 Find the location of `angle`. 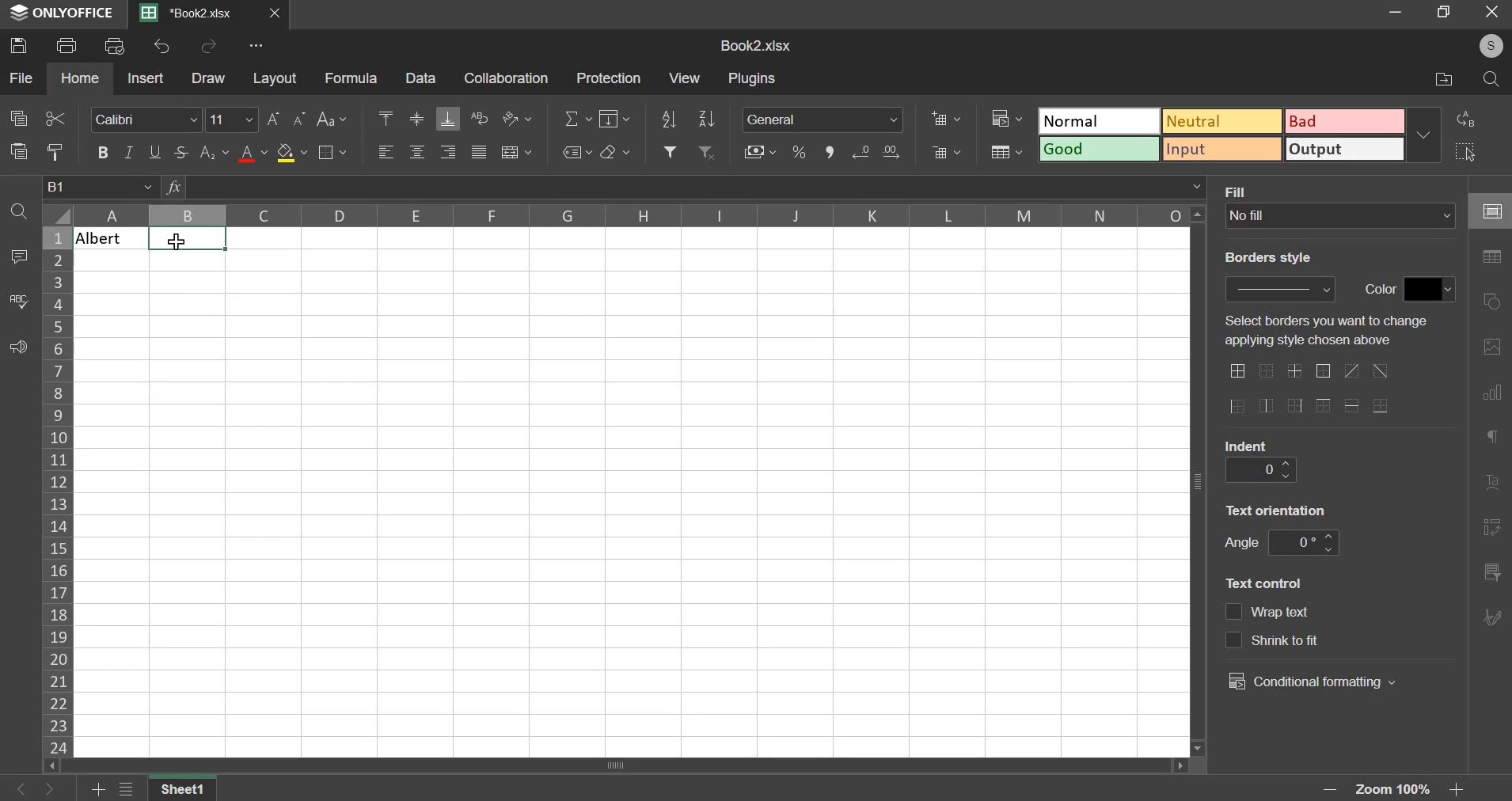

angle is located at coordinates (1305, 544).